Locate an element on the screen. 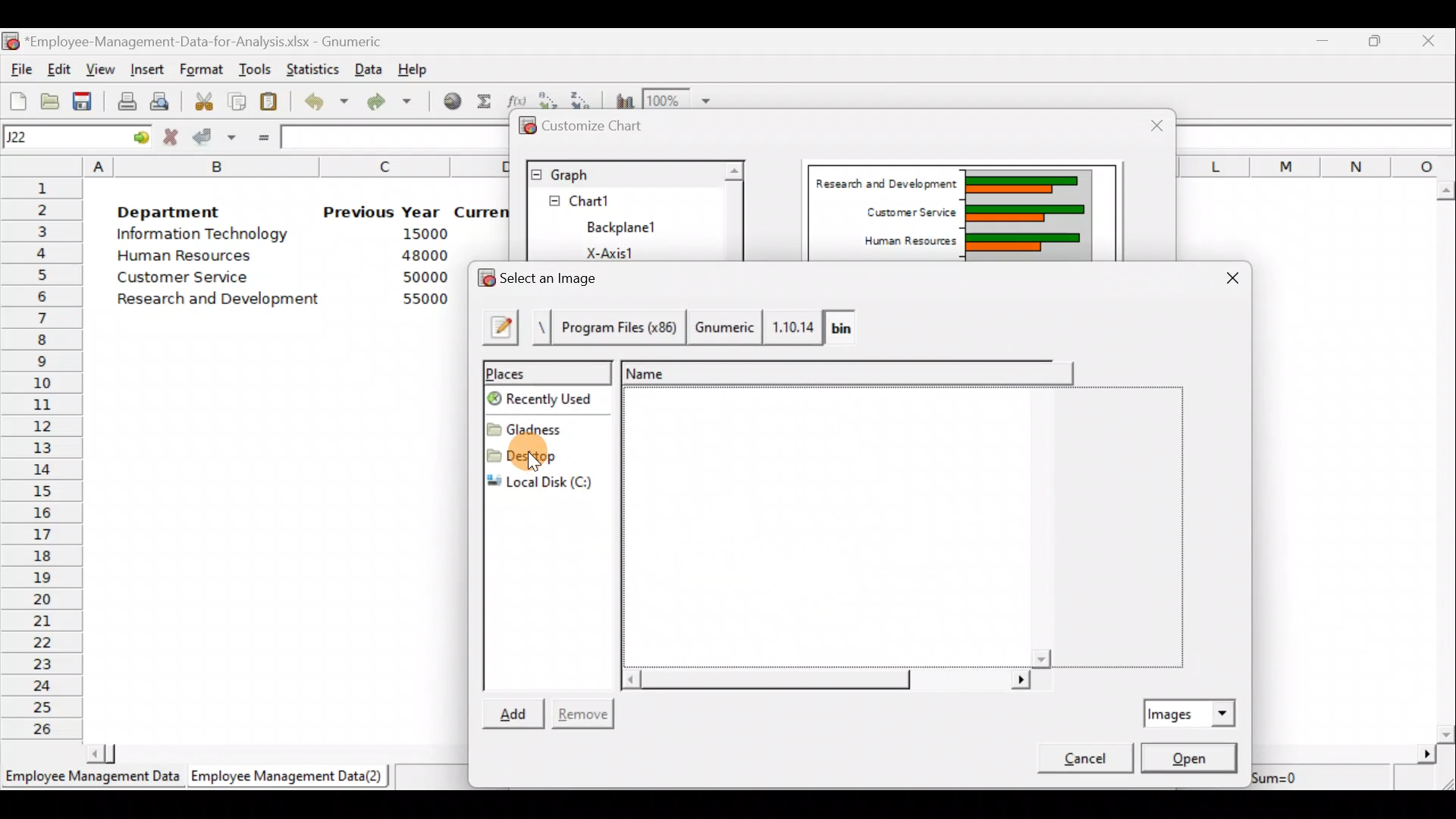 This screenshot has width=1456, height=819. Sort in Ascending order is located at coordinates (549, 98).